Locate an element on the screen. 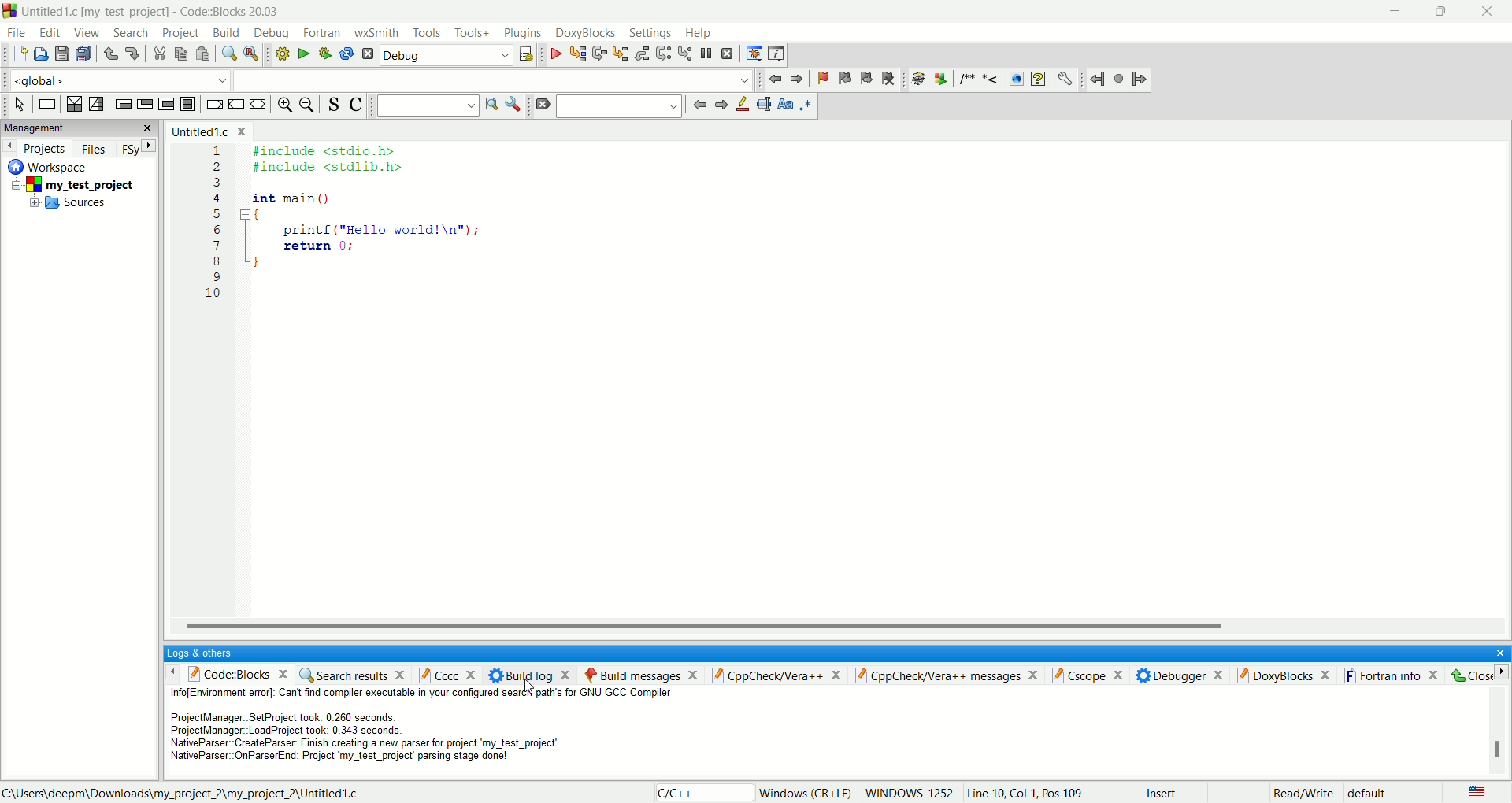 This screenshot has height=803, width=1512. options window is located at coordinates (513, 105).